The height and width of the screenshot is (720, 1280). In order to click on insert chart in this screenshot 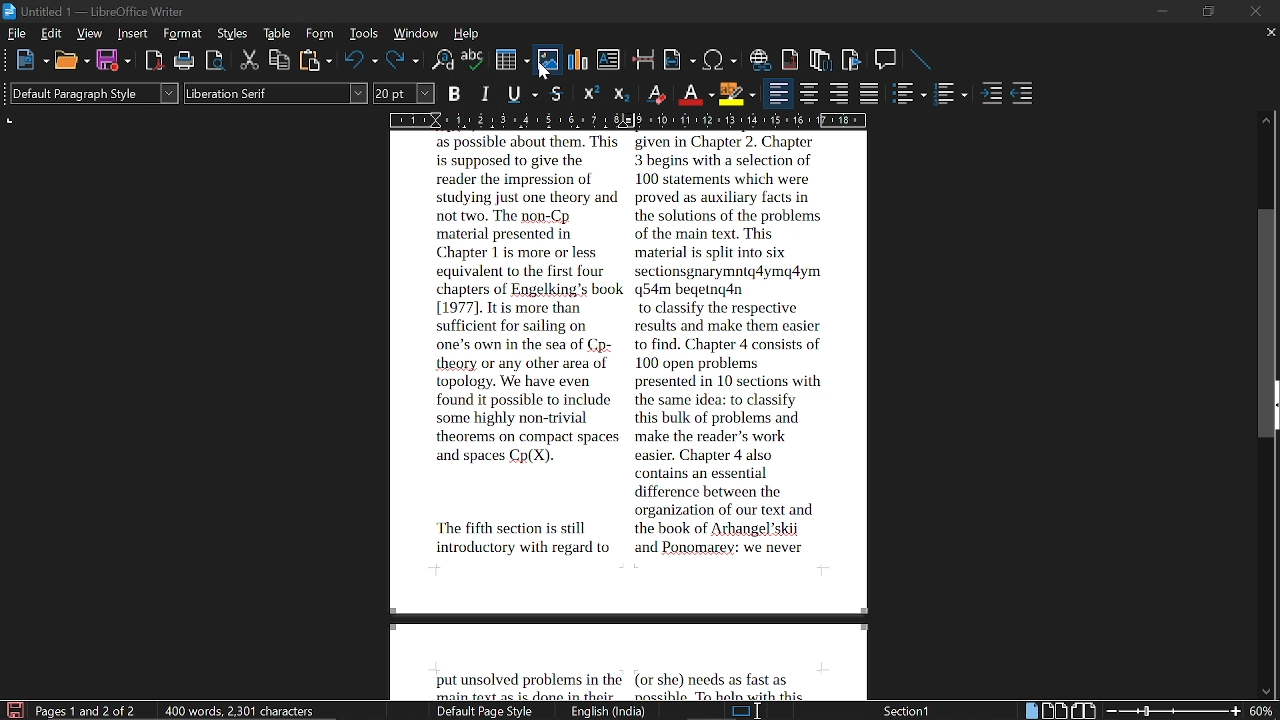, I will do `click(574, 60)`.